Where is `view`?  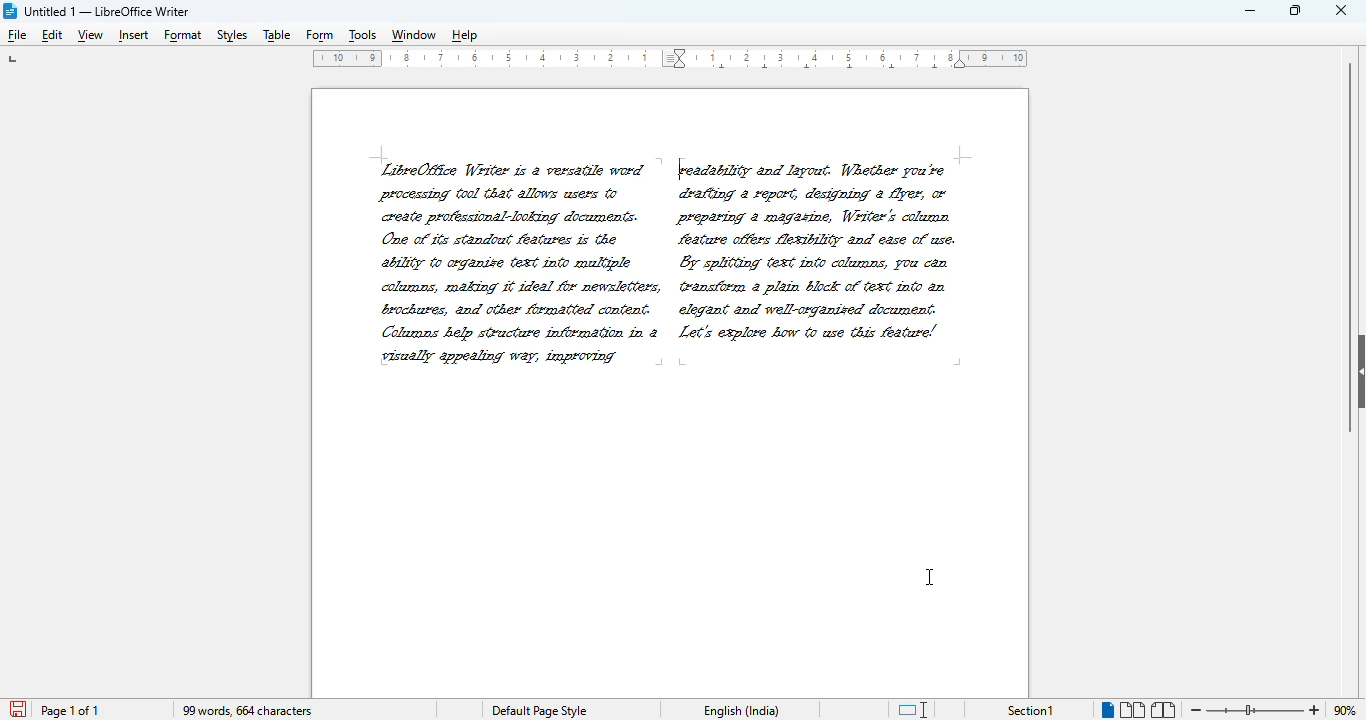
view is located at coordinates (90, 36).